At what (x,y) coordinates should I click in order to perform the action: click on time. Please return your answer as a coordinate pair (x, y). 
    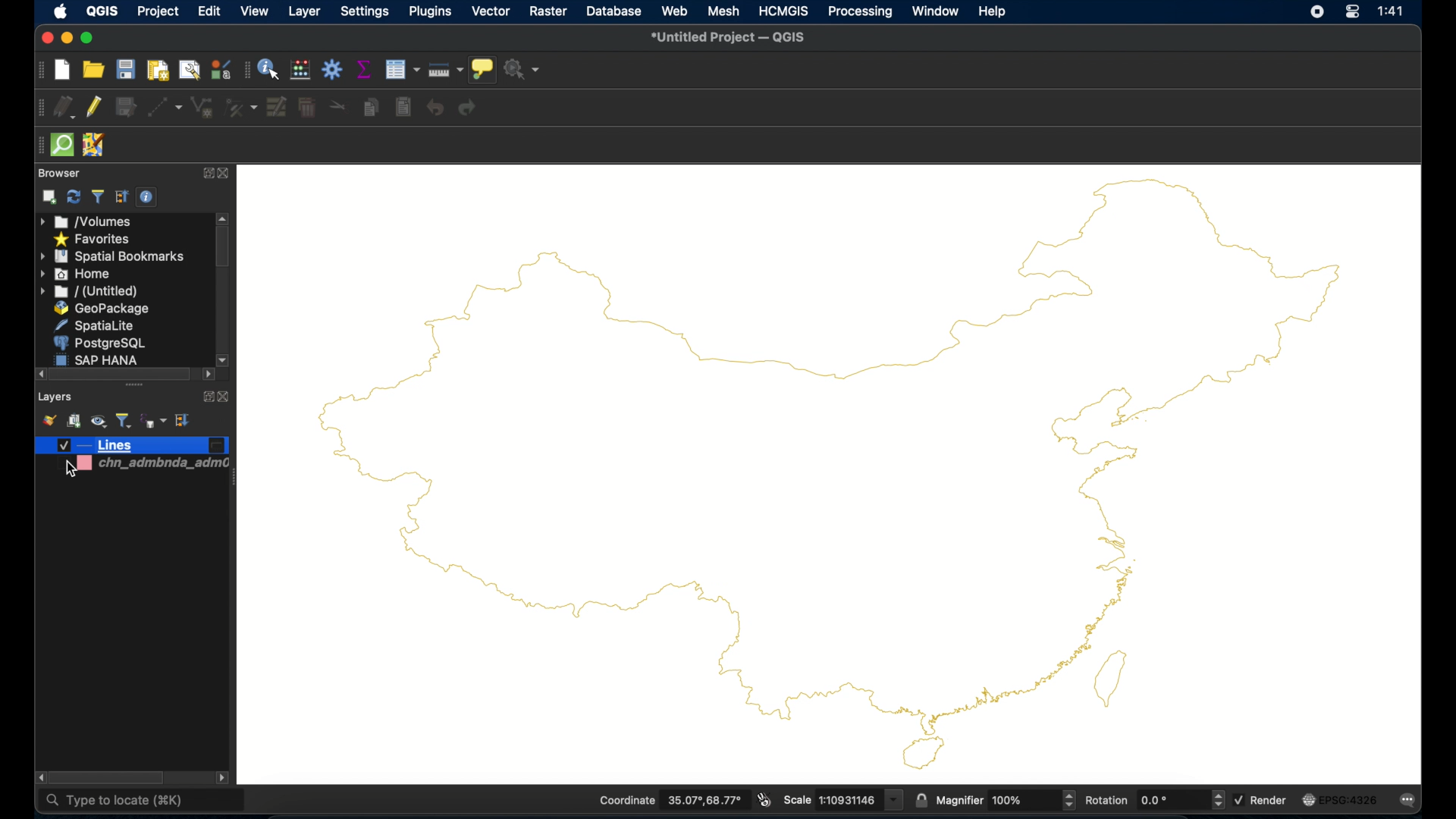
    Looking at the image, I should click on (1394, 11).